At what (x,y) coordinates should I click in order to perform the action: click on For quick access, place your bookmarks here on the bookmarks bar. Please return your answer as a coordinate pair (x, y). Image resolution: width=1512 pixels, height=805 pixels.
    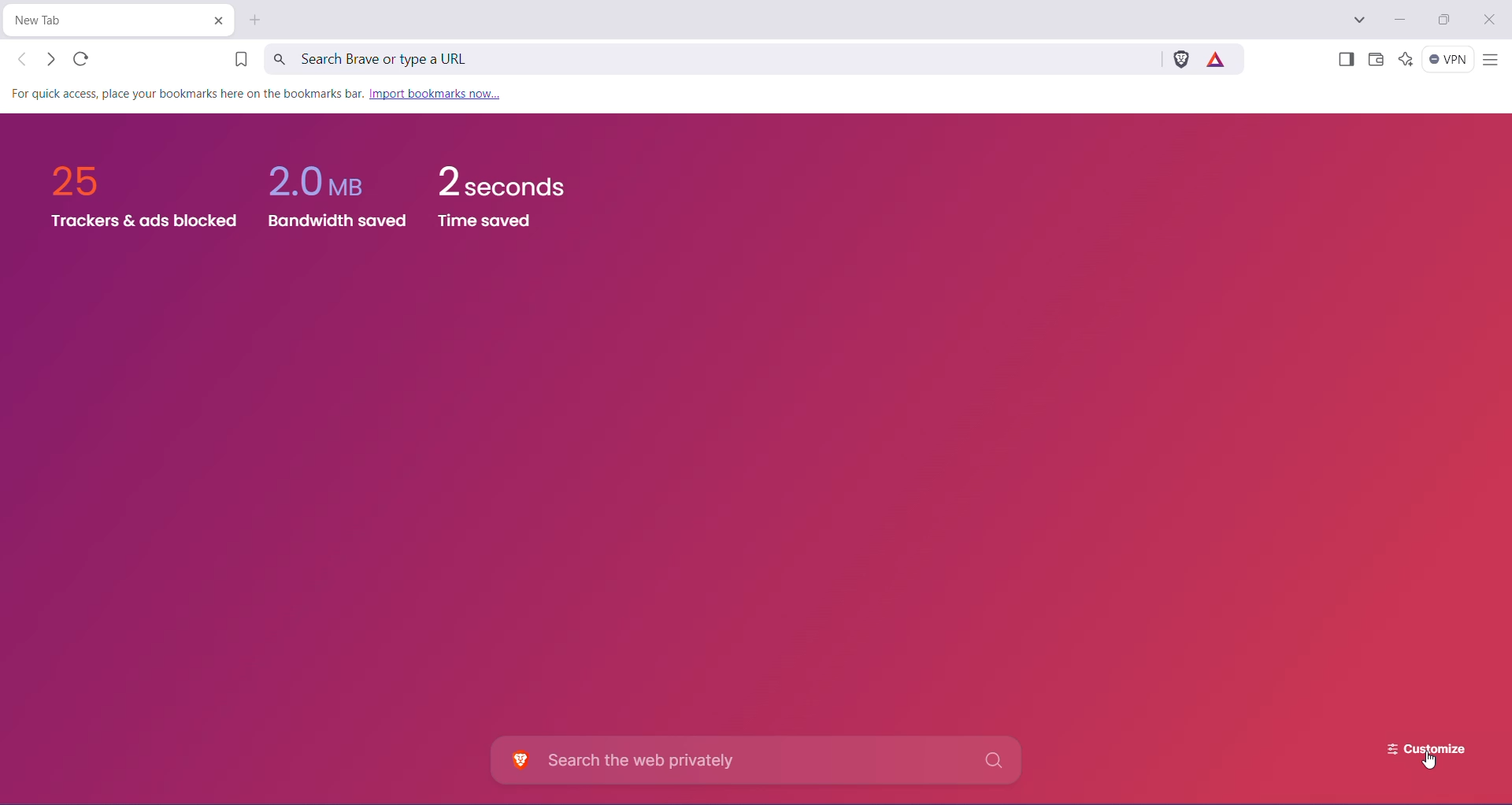
    Looking at the image, I should click on (183, 94).